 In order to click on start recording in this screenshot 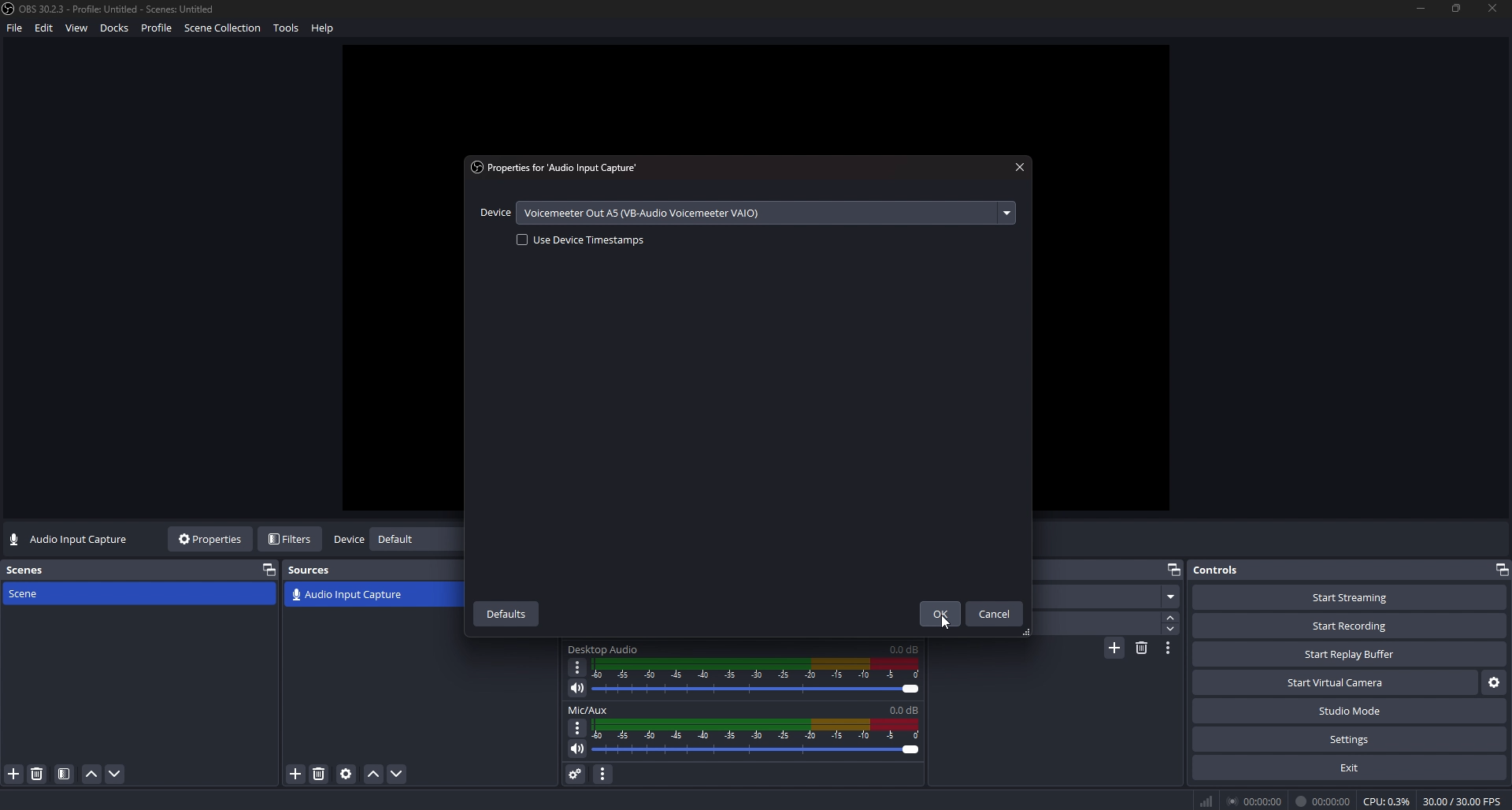, I will do `click(1350, 626)`.